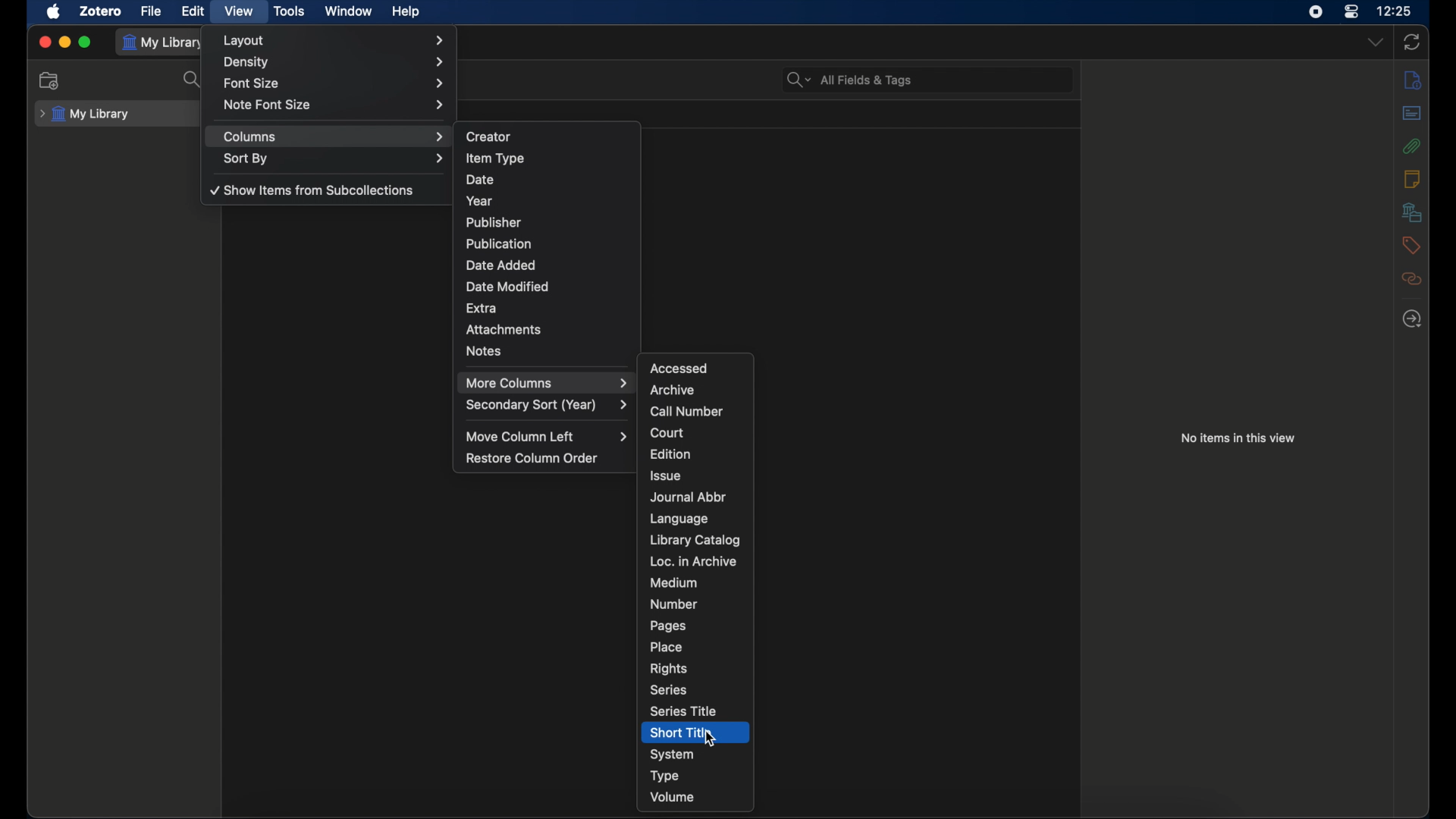 This screenshot has width=1456, height=819. What do you see at coordinates (697, 541) in the screenshot?
I see `library catalog` at bounding box center [697, 541].